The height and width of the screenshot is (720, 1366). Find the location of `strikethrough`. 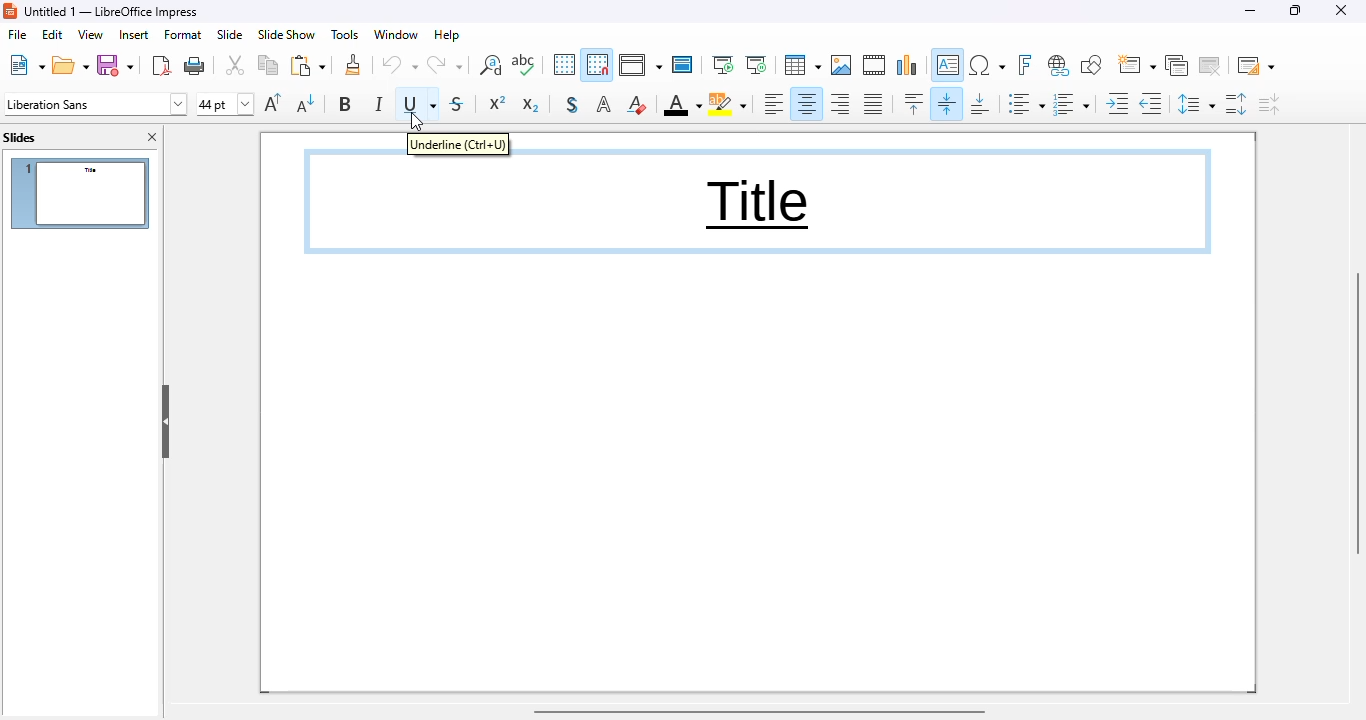

strikethrough is located at coordinates (458, 104).